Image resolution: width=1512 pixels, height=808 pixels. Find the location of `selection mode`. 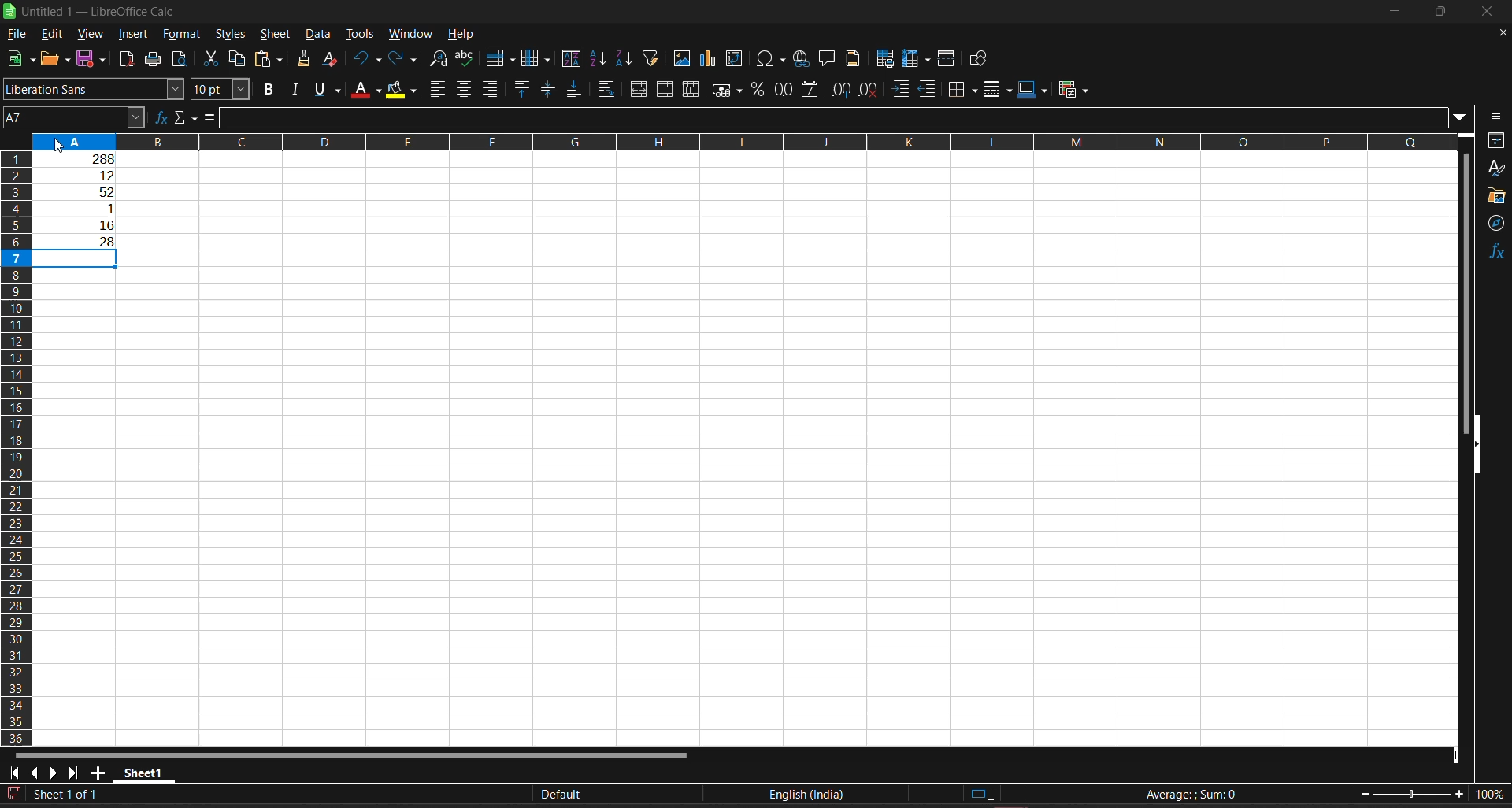

selection mode is located at coordinates (982, 795).